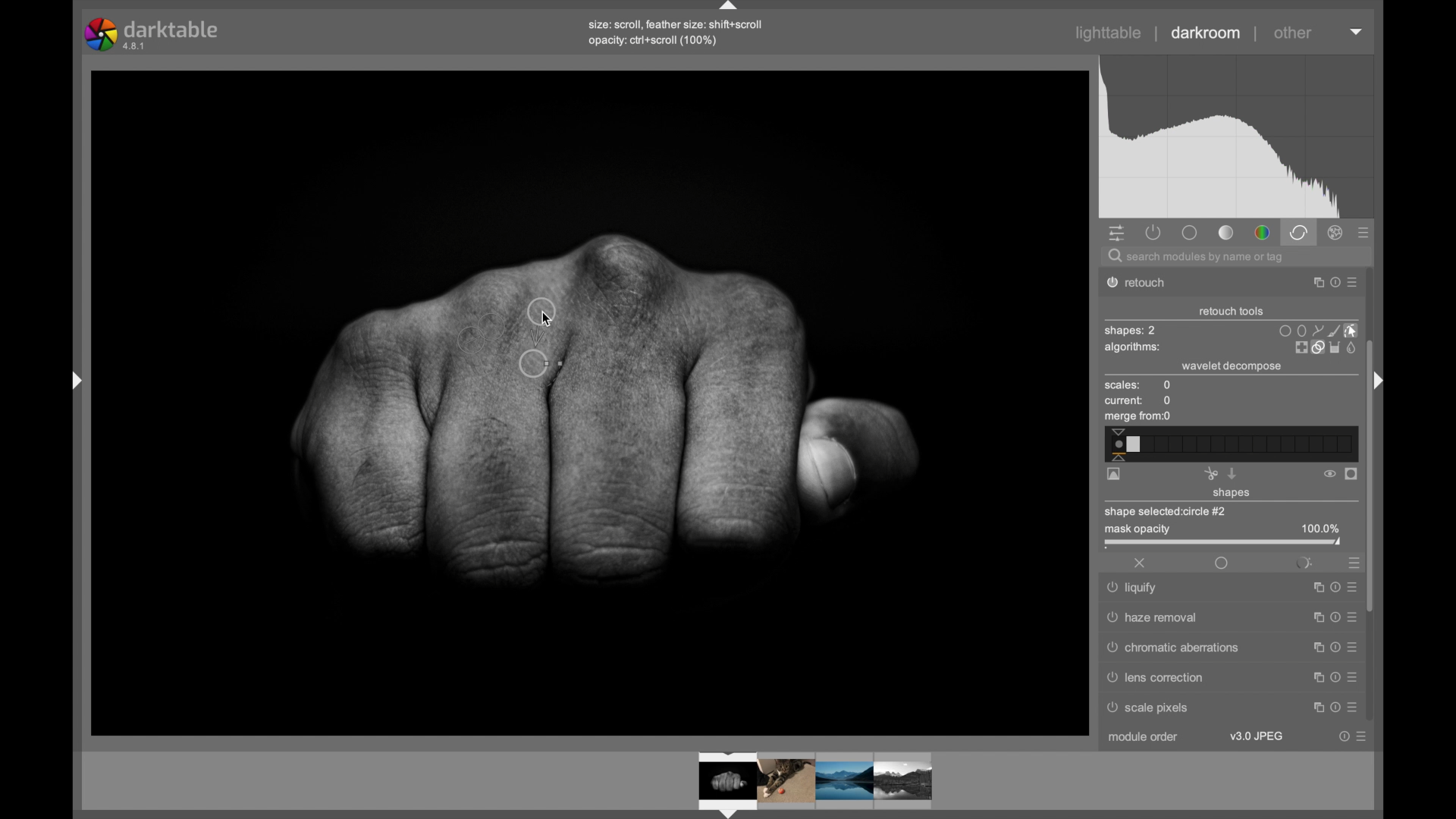 Image resolution: width=1456 pixels, height=819 pixels. Describe the element at coordinates (1352, 585) in the screenshot. I see `more options` at that location.